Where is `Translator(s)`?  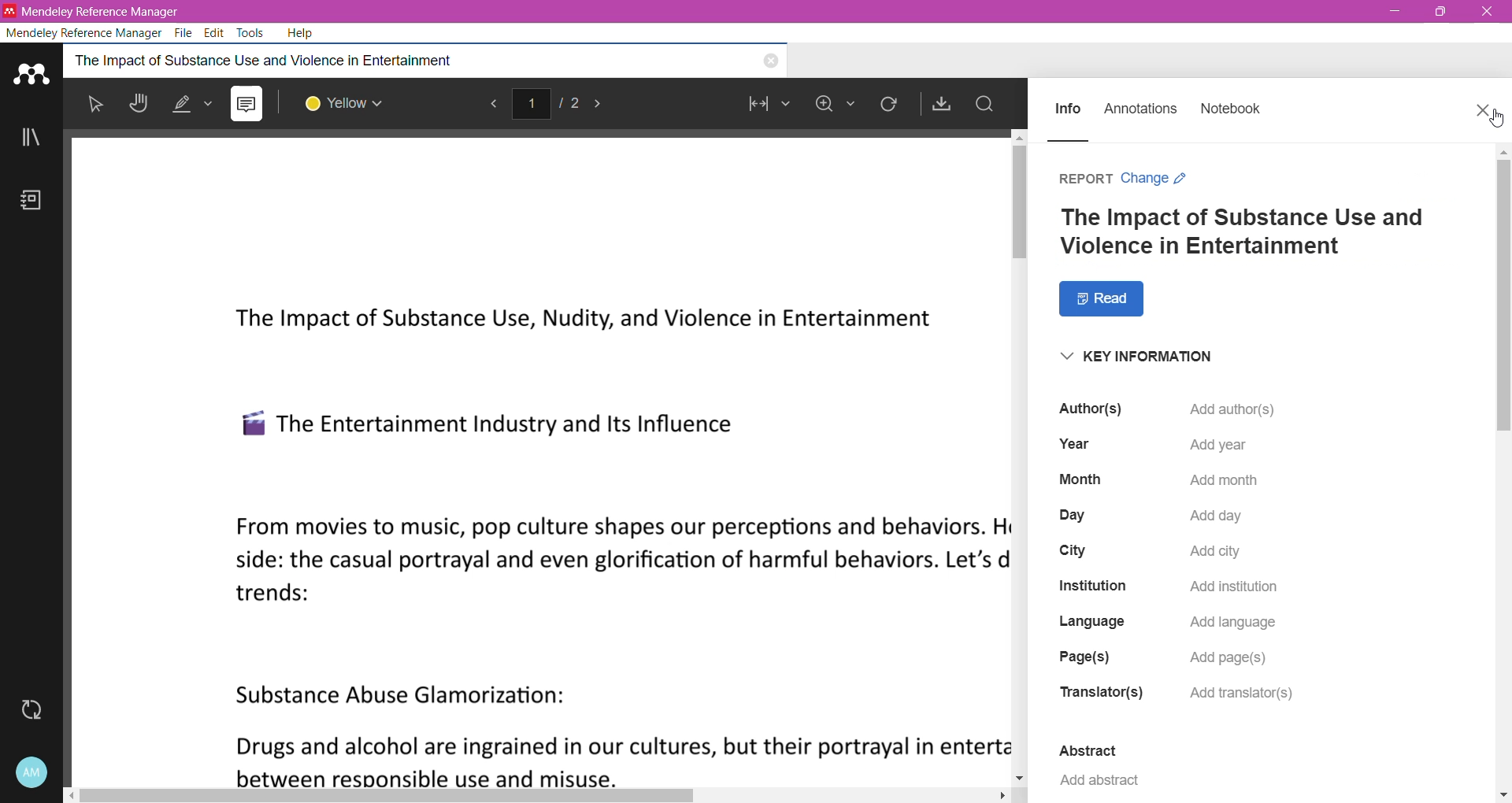
Translator(s) is located at coordinates (1102, 693).